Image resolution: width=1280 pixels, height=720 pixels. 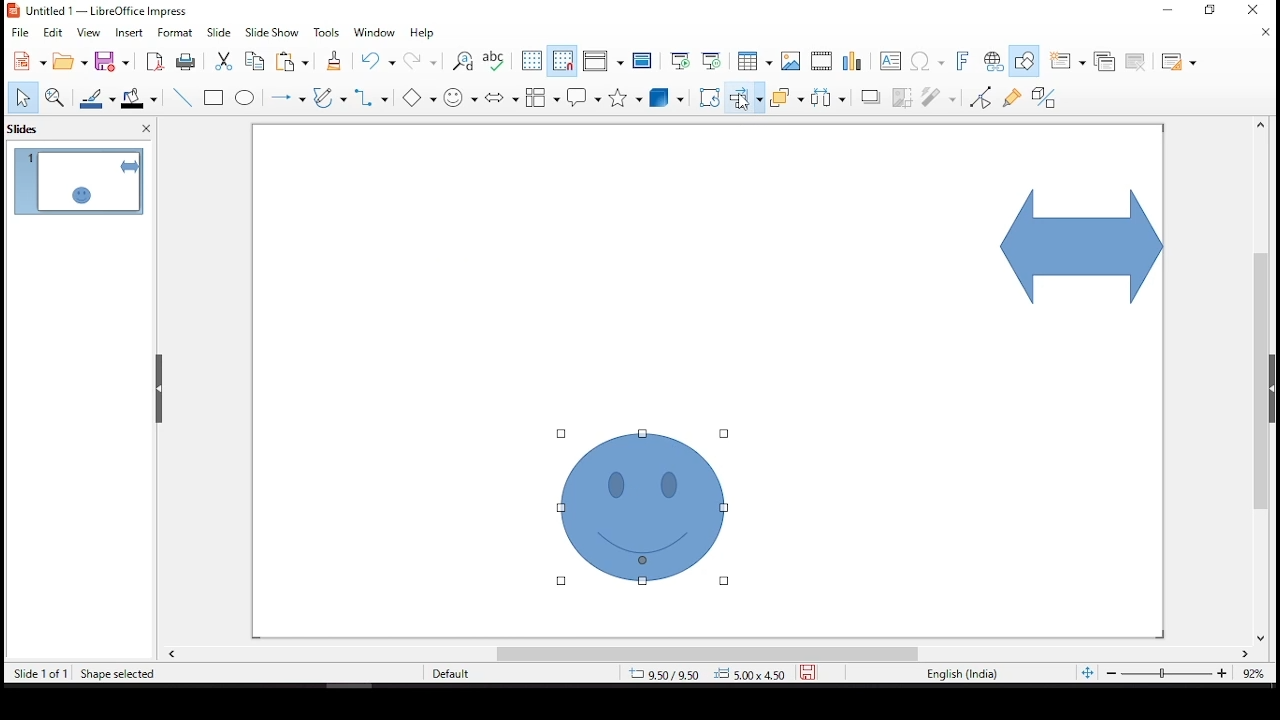 I want to click on basic shapes, so click(x=419, y=98).